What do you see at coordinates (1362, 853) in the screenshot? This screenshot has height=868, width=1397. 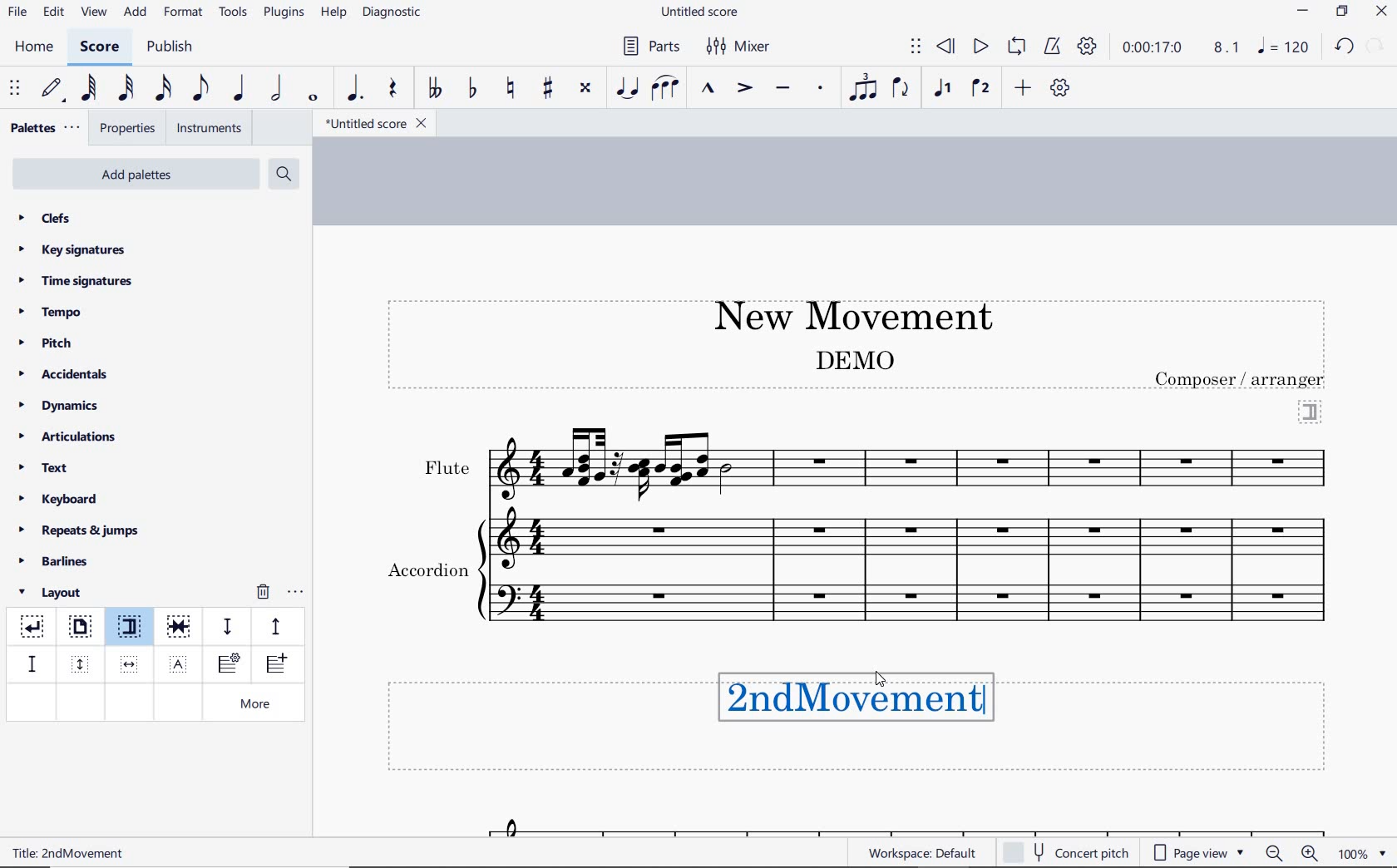 I see `zoom factor` at bounding box center [1362, 853].